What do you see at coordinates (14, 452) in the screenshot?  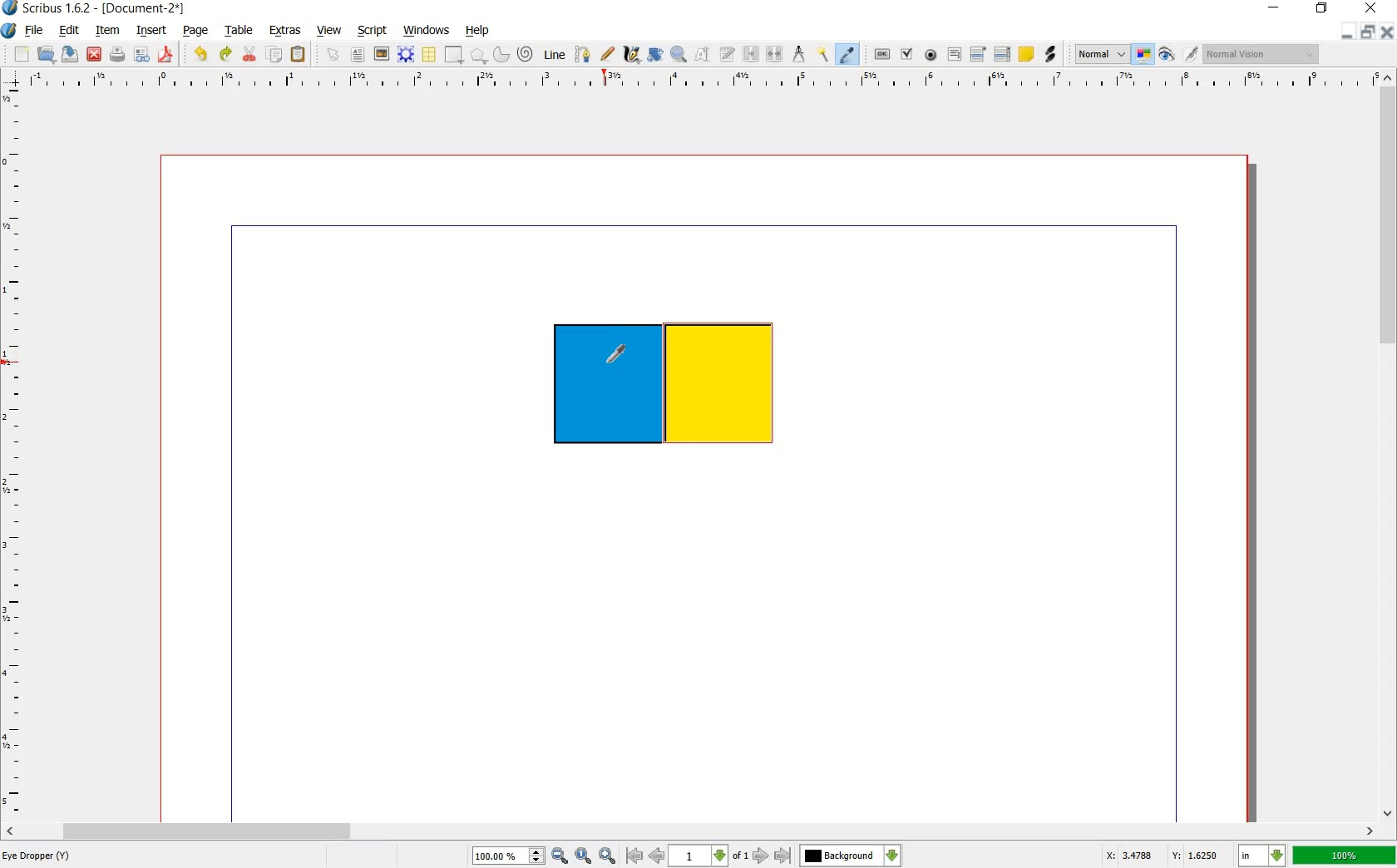 I see `ruler` at bounding box center [14, 452].